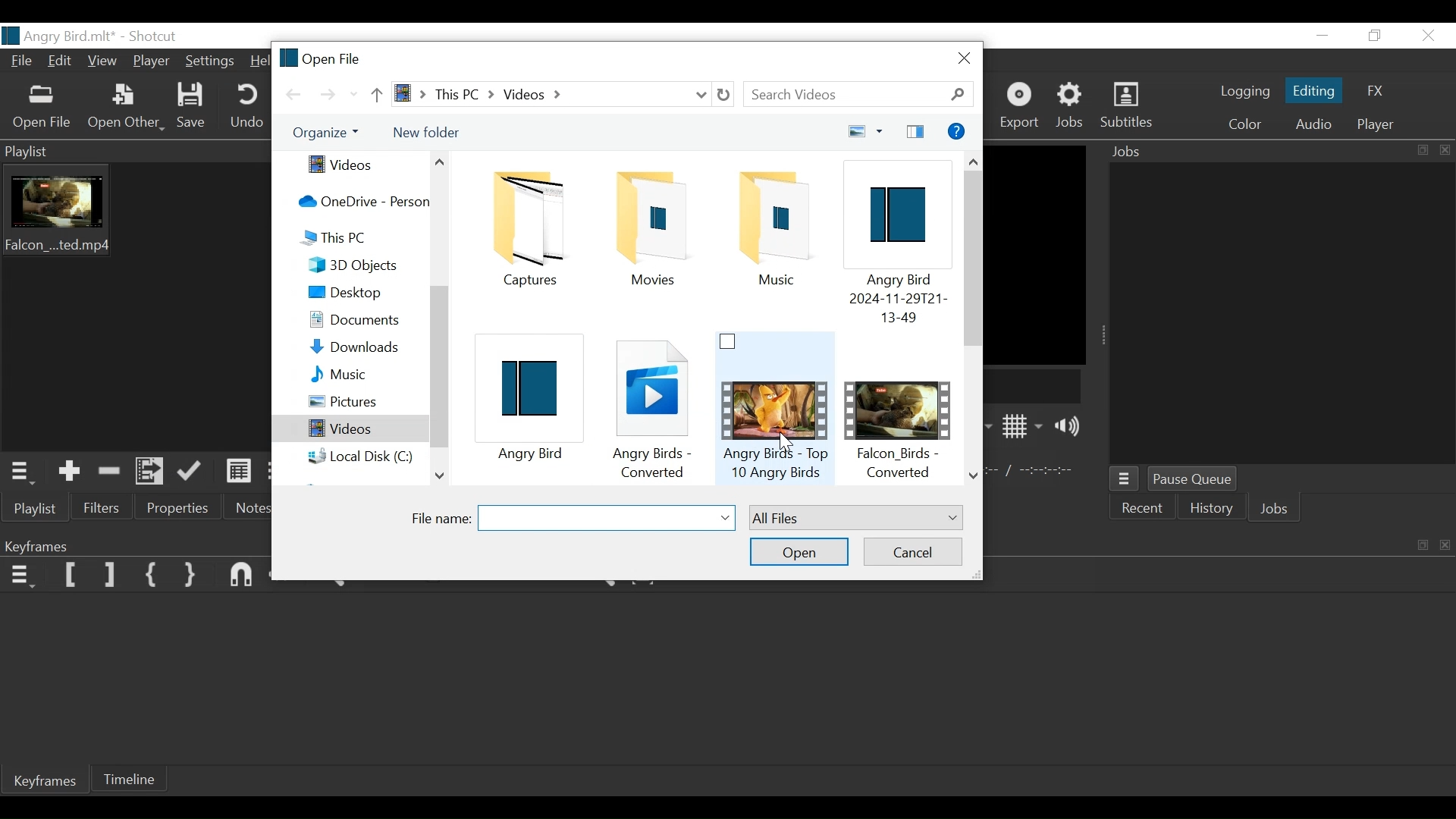 The image size is (1456, 819). Describe the element at coordinates (654, 405) in the screenshot. I see `File` at that location.